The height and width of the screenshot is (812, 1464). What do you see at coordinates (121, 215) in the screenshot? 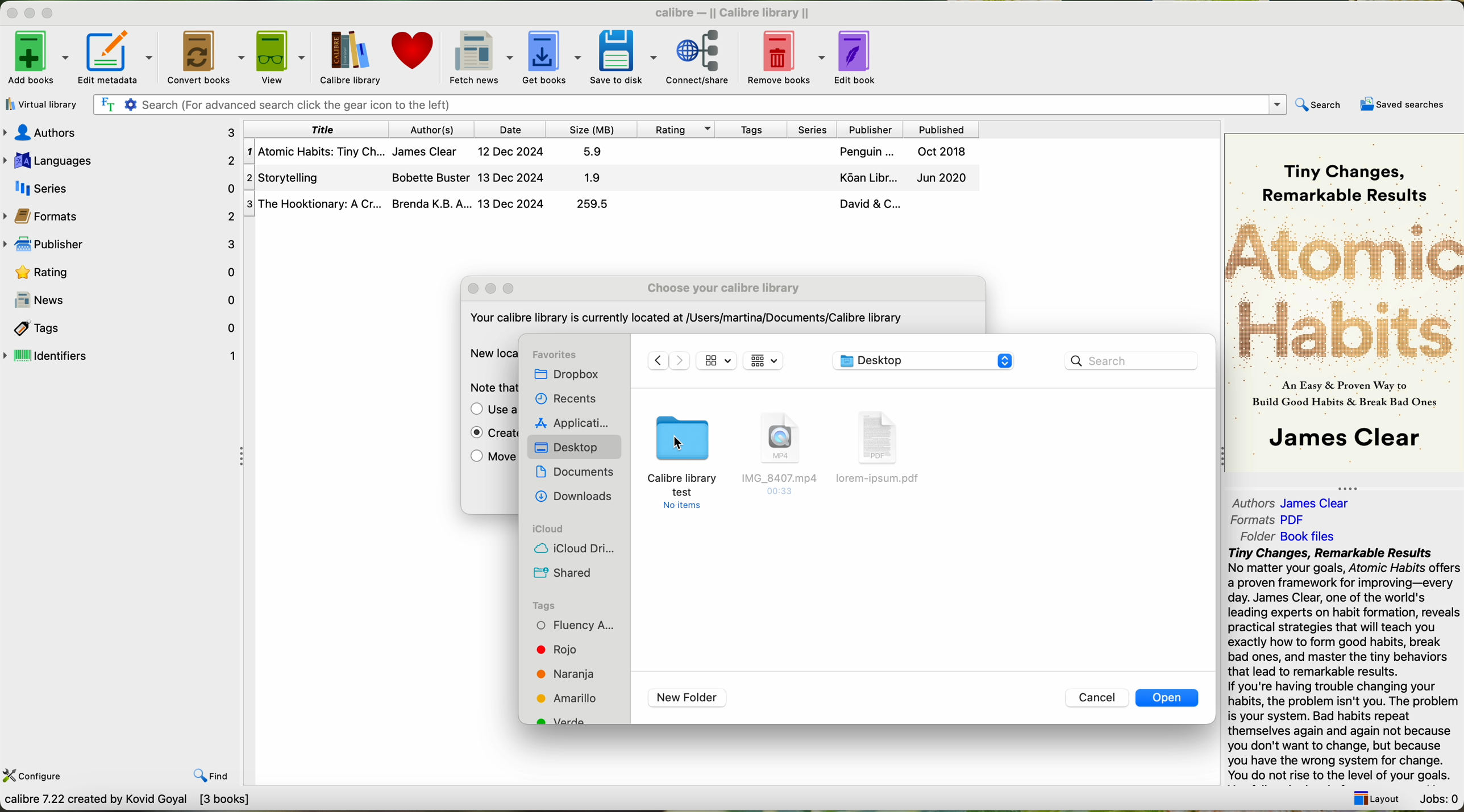
I see `formats` at bounding box center [121, 215].